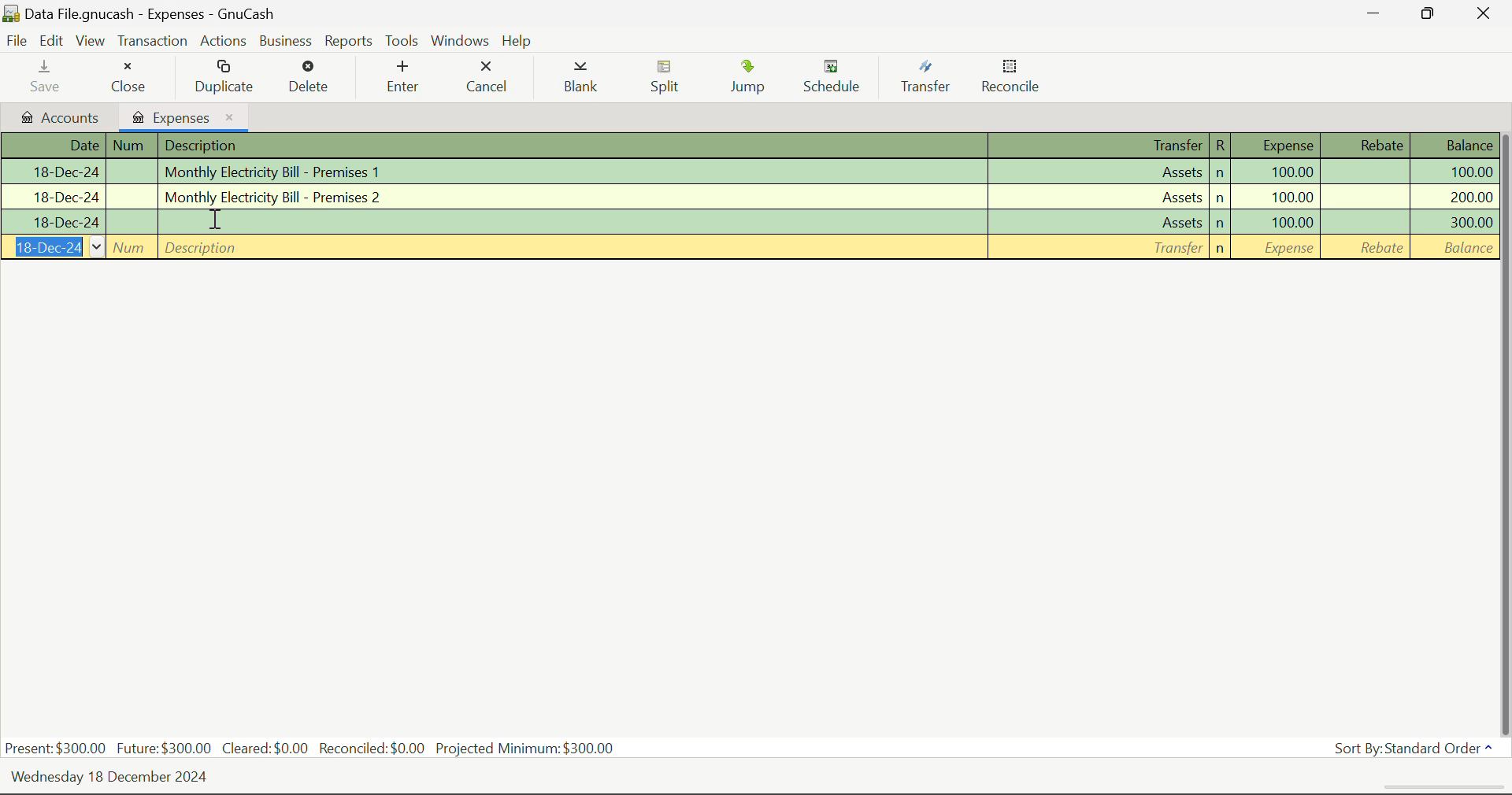 This screenshot has width=1512, height=795. What do you see at coordinates (753, 146) in the screenshot?
I see `Transactions Column Headings` at bounding box center [753, 146].